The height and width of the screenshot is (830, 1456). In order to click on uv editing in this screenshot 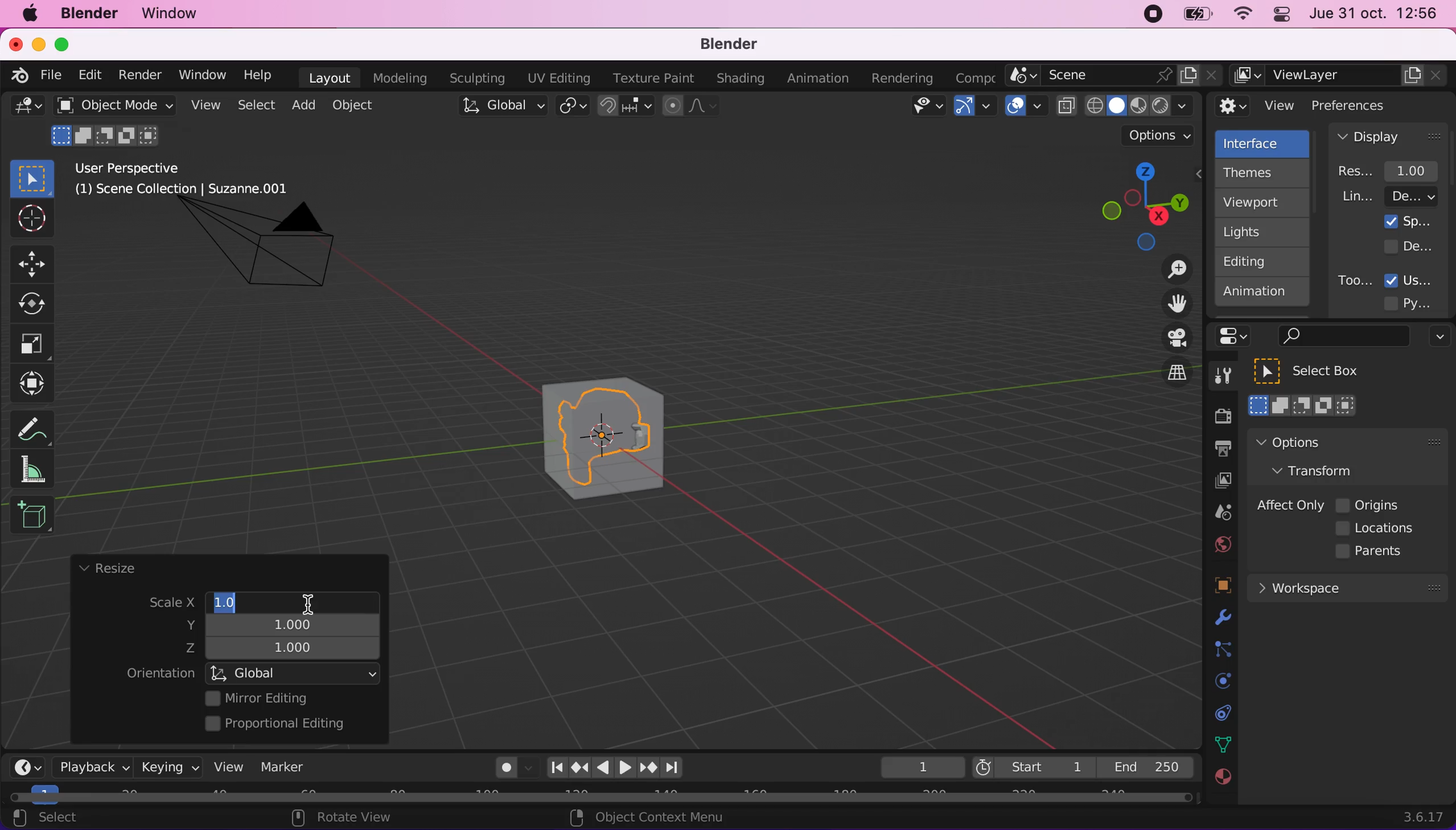, I will do `click(558, 78)`.